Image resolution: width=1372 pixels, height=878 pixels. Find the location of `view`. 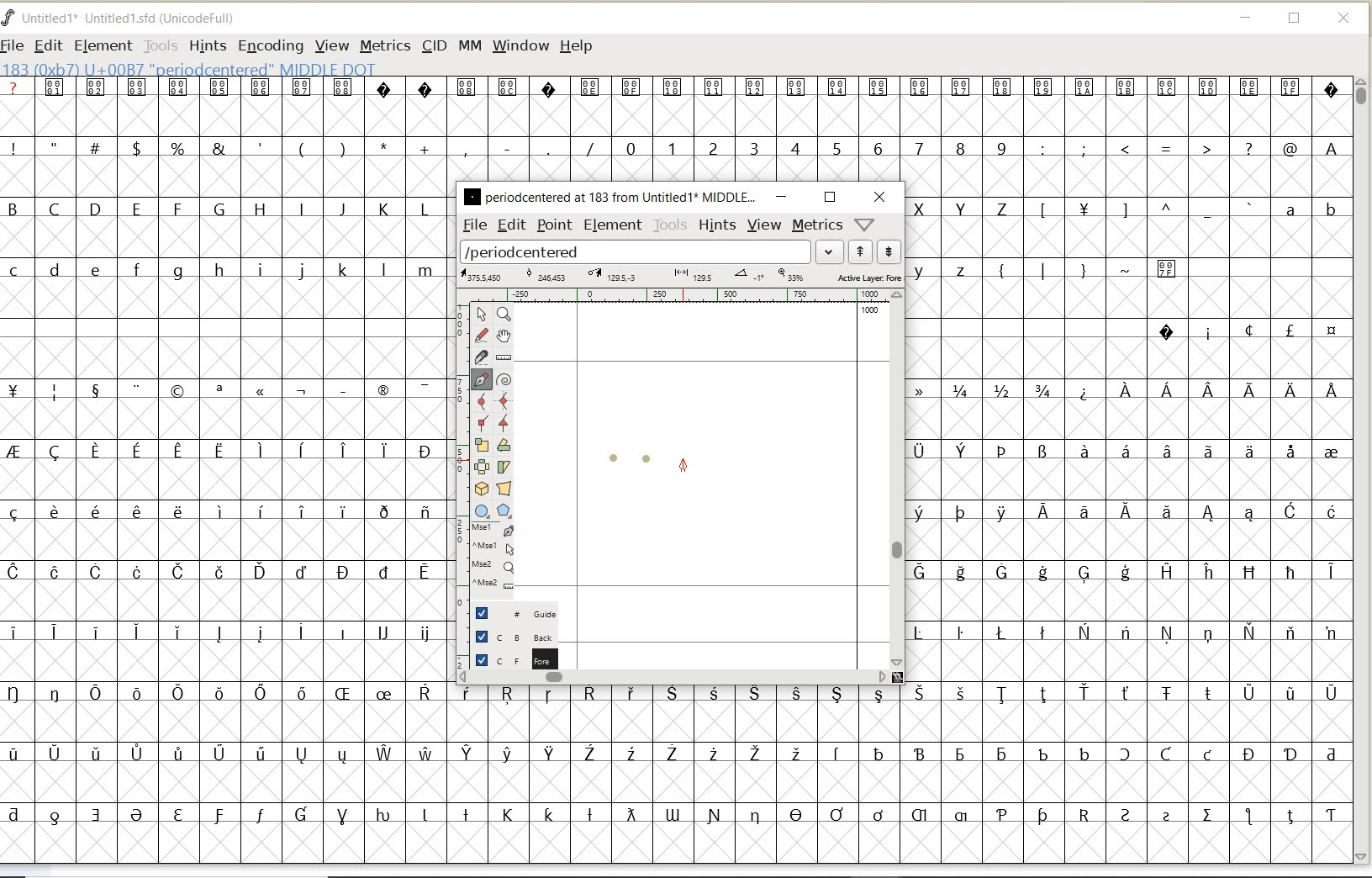

view is located at coordinates (765, 225).